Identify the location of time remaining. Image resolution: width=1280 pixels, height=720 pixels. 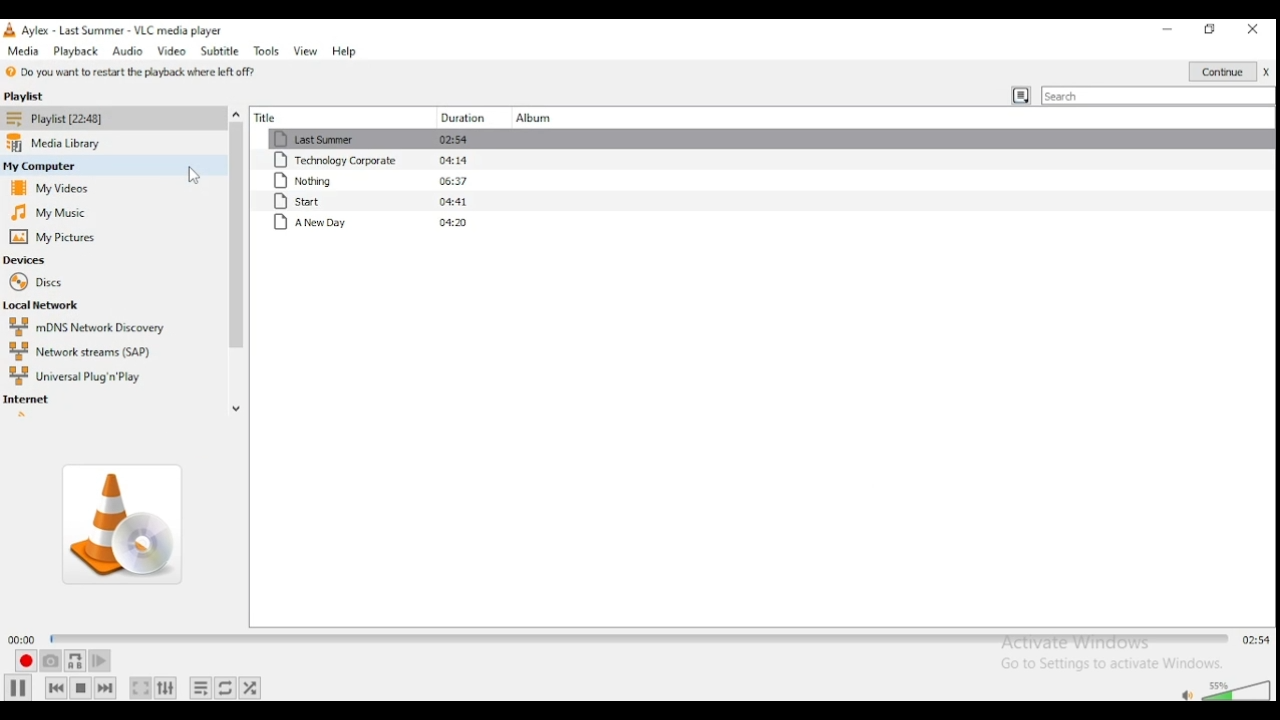
(1255, 639).